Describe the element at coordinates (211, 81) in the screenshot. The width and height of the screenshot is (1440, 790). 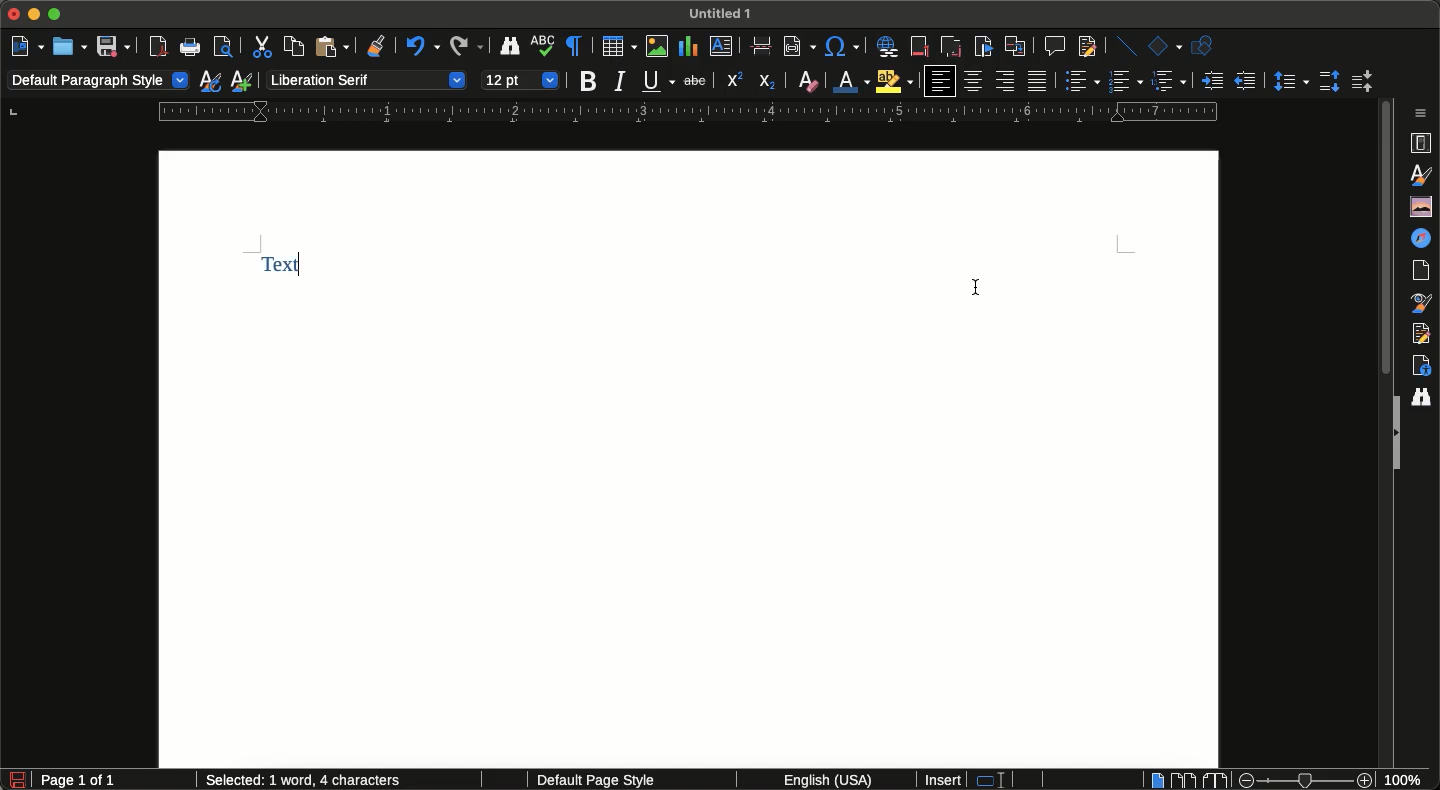
I see `Update selected style` at that location.